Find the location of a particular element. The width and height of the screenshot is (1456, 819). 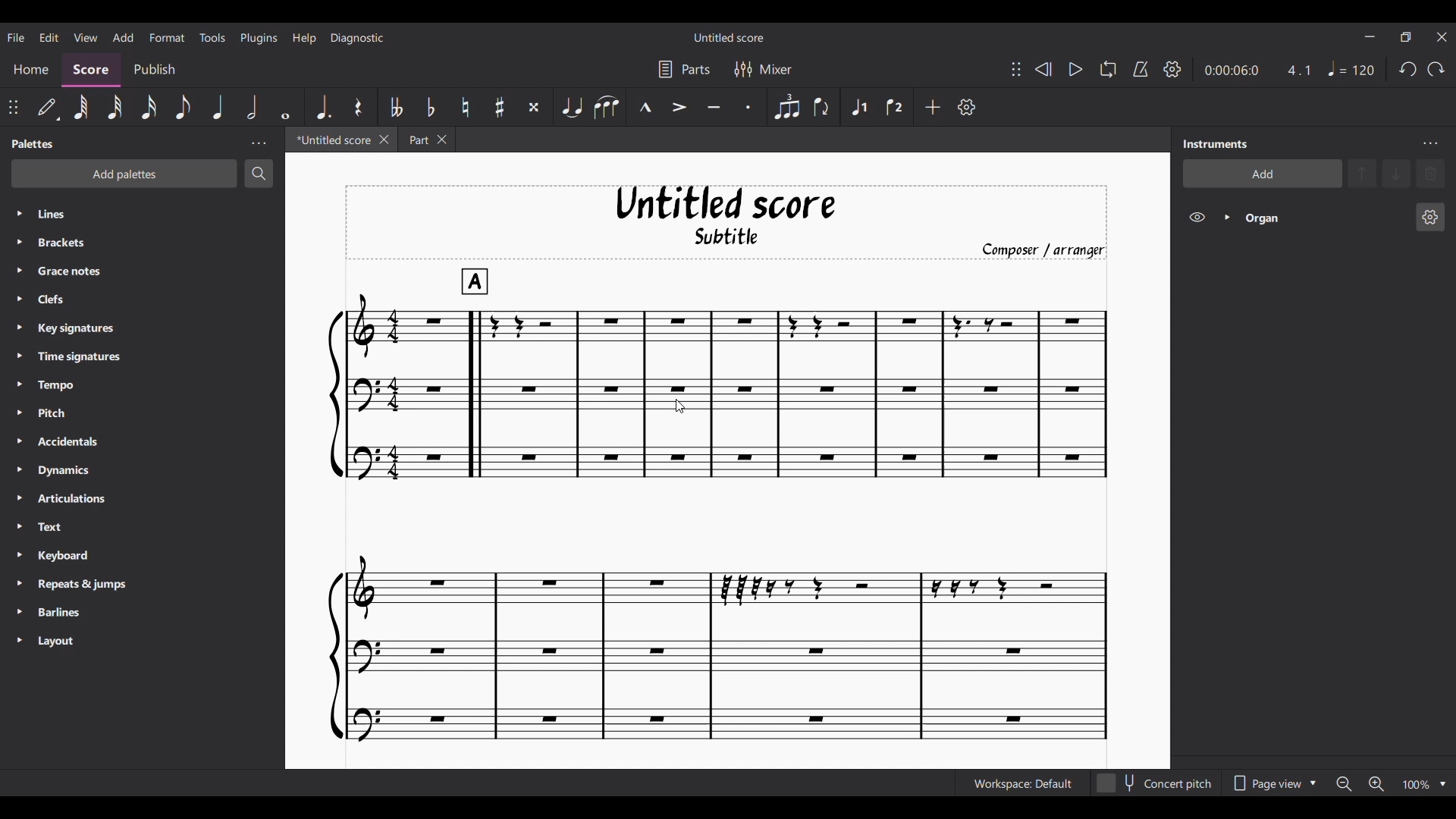

Current duration and ratio of score is located at coordinates (1257, 70).